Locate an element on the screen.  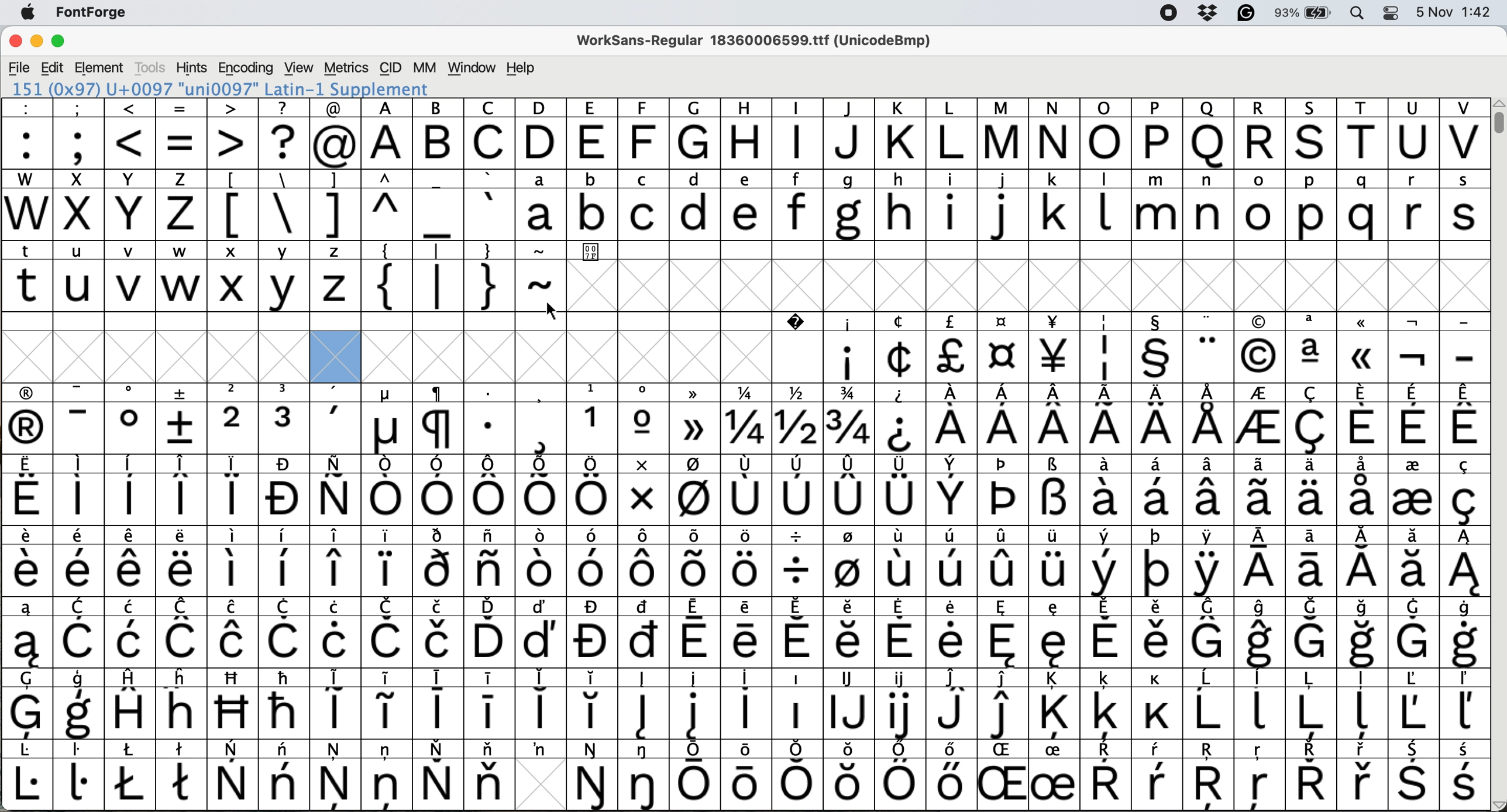
symbol is located at coordinates (643, 562).